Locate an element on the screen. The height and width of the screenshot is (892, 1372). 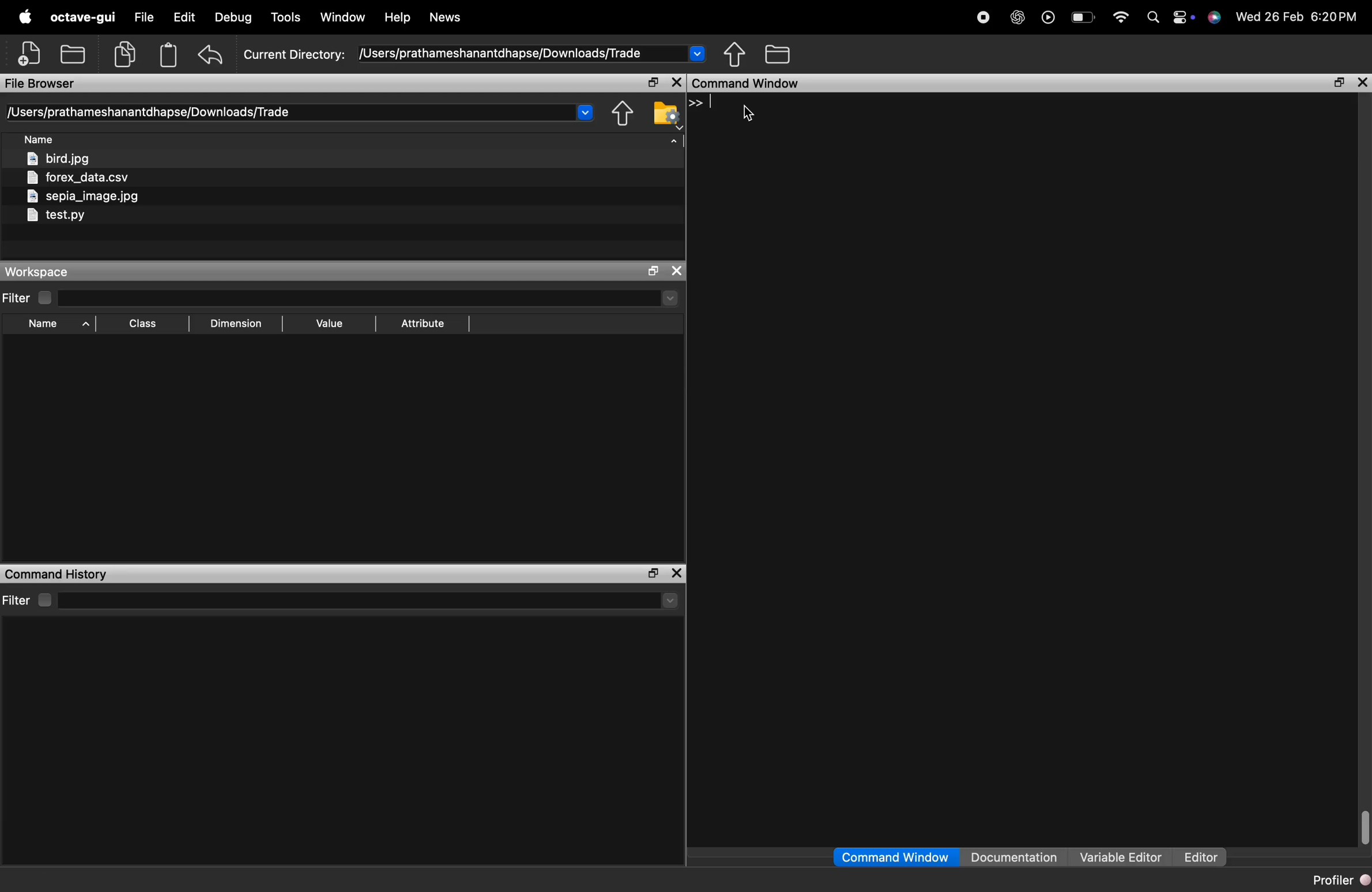
Editor is located at coordinates (1201, 857).